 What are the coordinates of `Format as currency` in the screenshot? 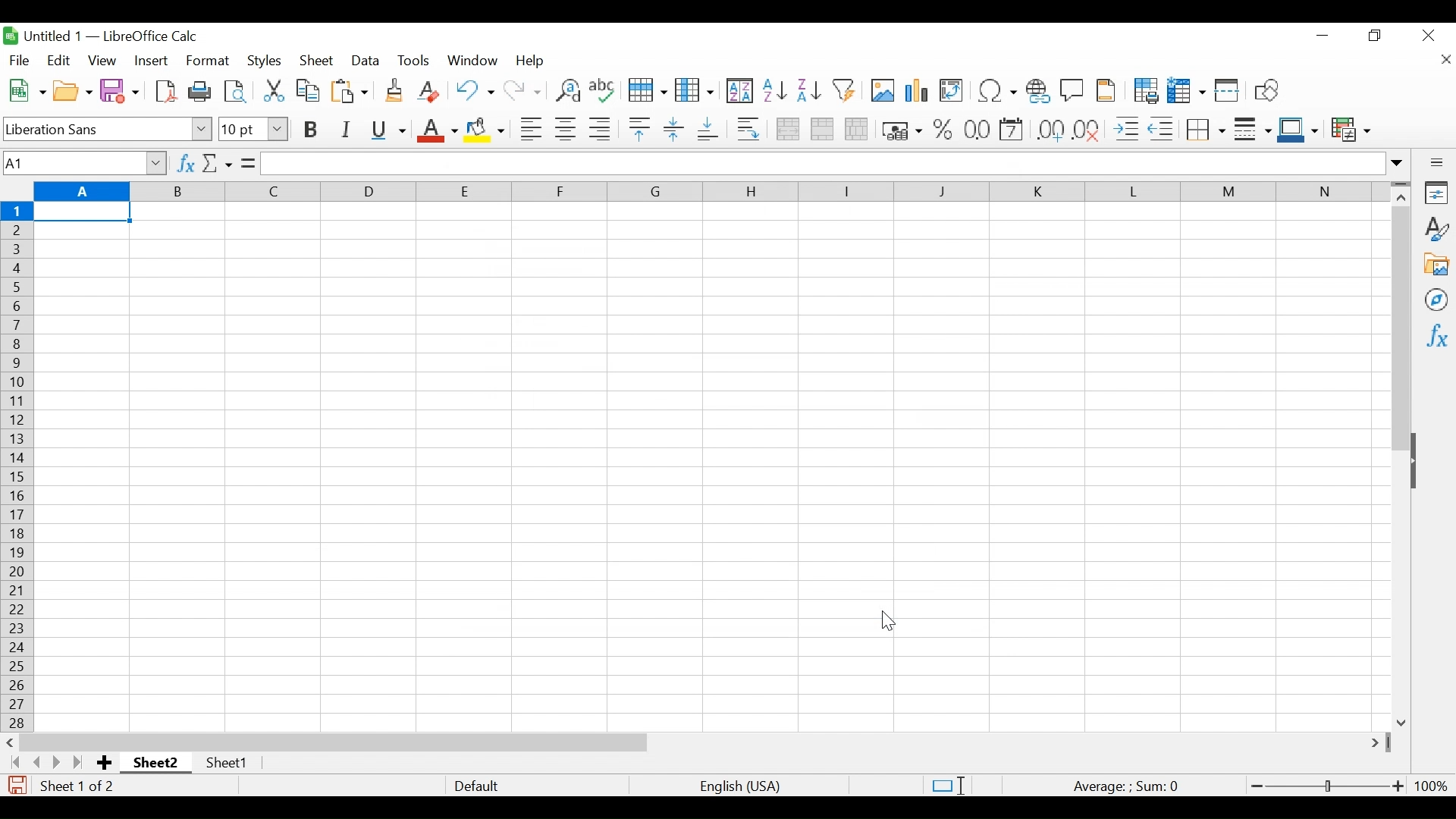 It's located at (900, 130).